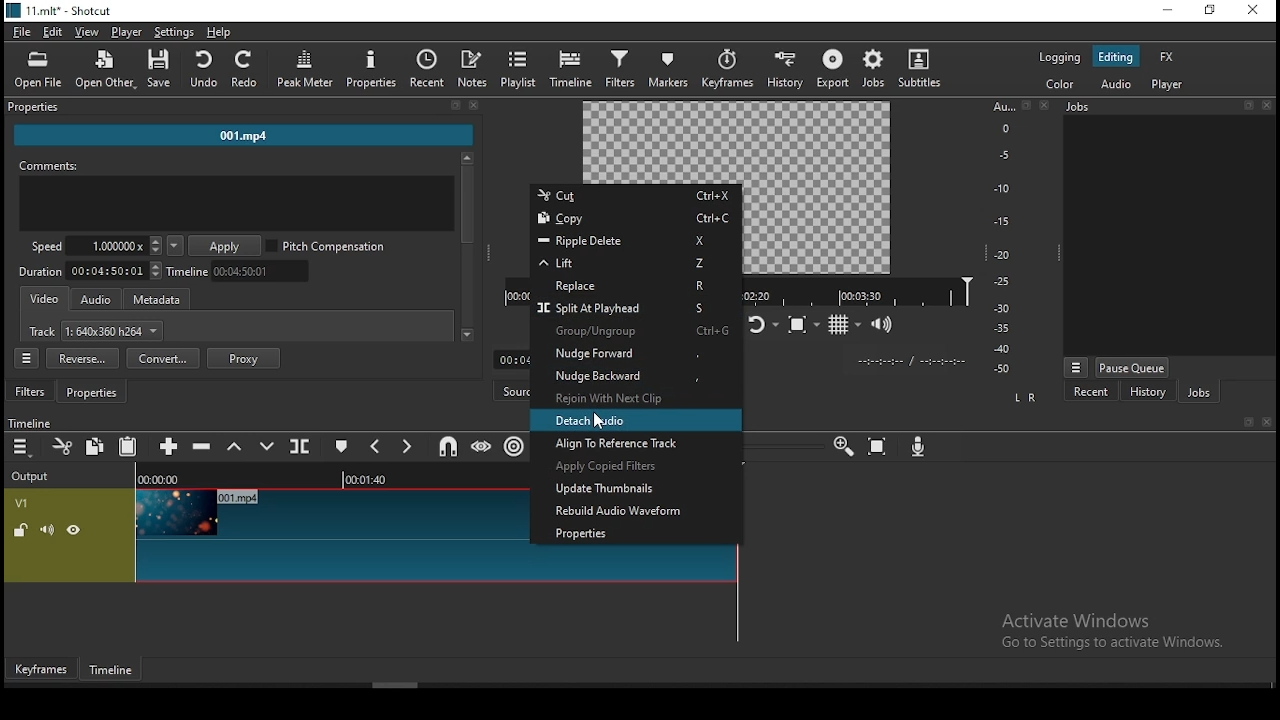 Image resolution: width=1280 pixels, height=720 pixels. Describe the element at coordinates (45, 301) in the screenshot. I see `video` at that location.